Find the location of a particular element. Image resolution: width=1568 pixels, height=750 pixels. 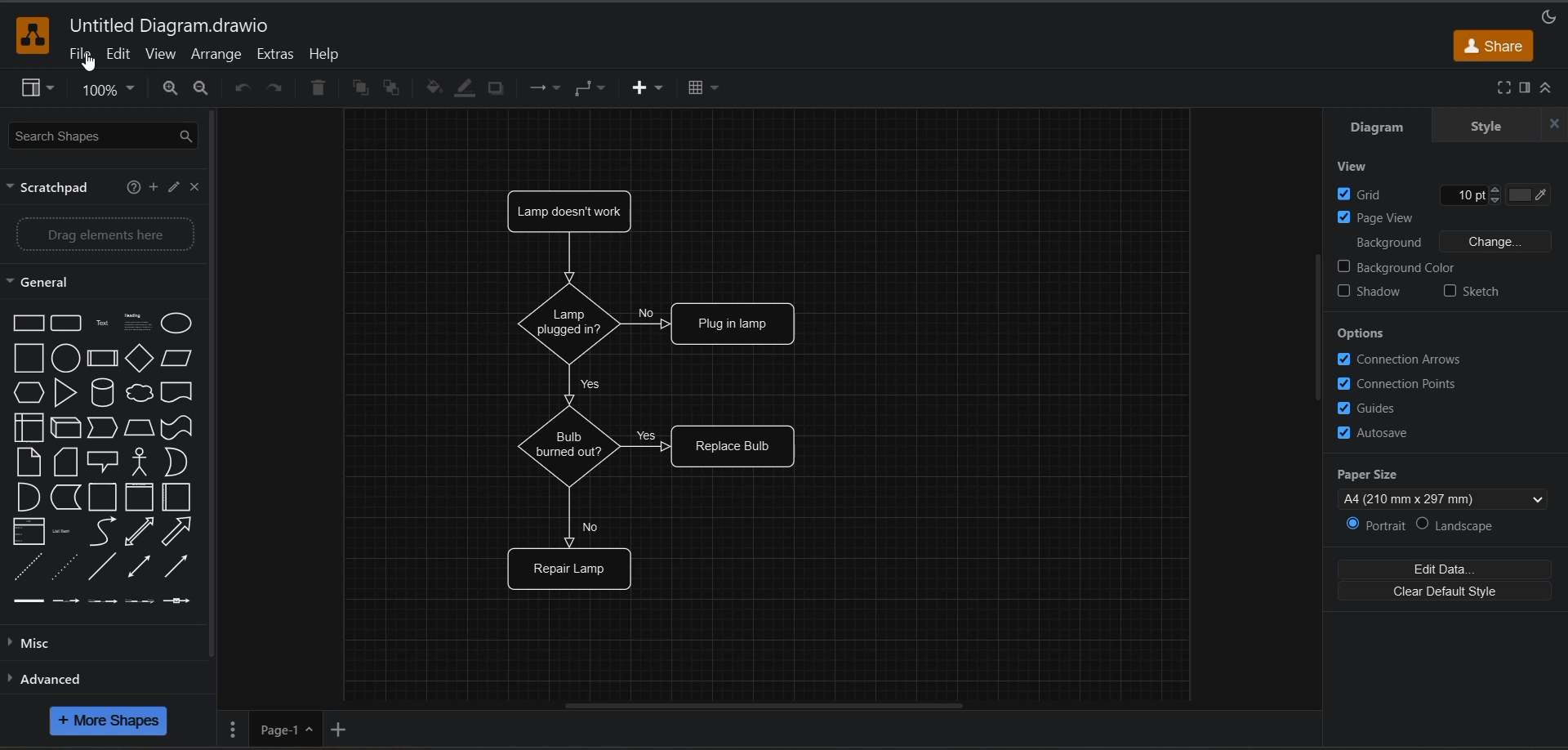

shadow is located at coordinates (1373, 293).